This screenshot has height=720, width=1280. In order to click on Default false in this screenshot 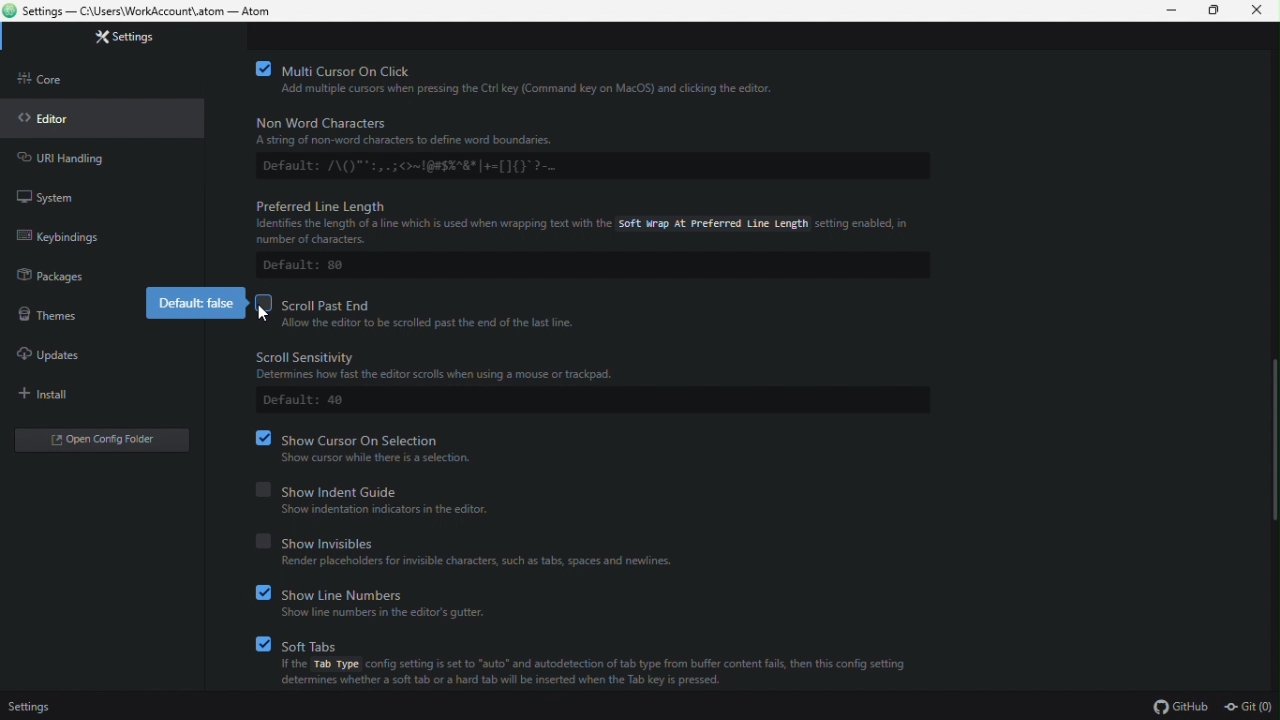, I will do `click(189, 304)`.